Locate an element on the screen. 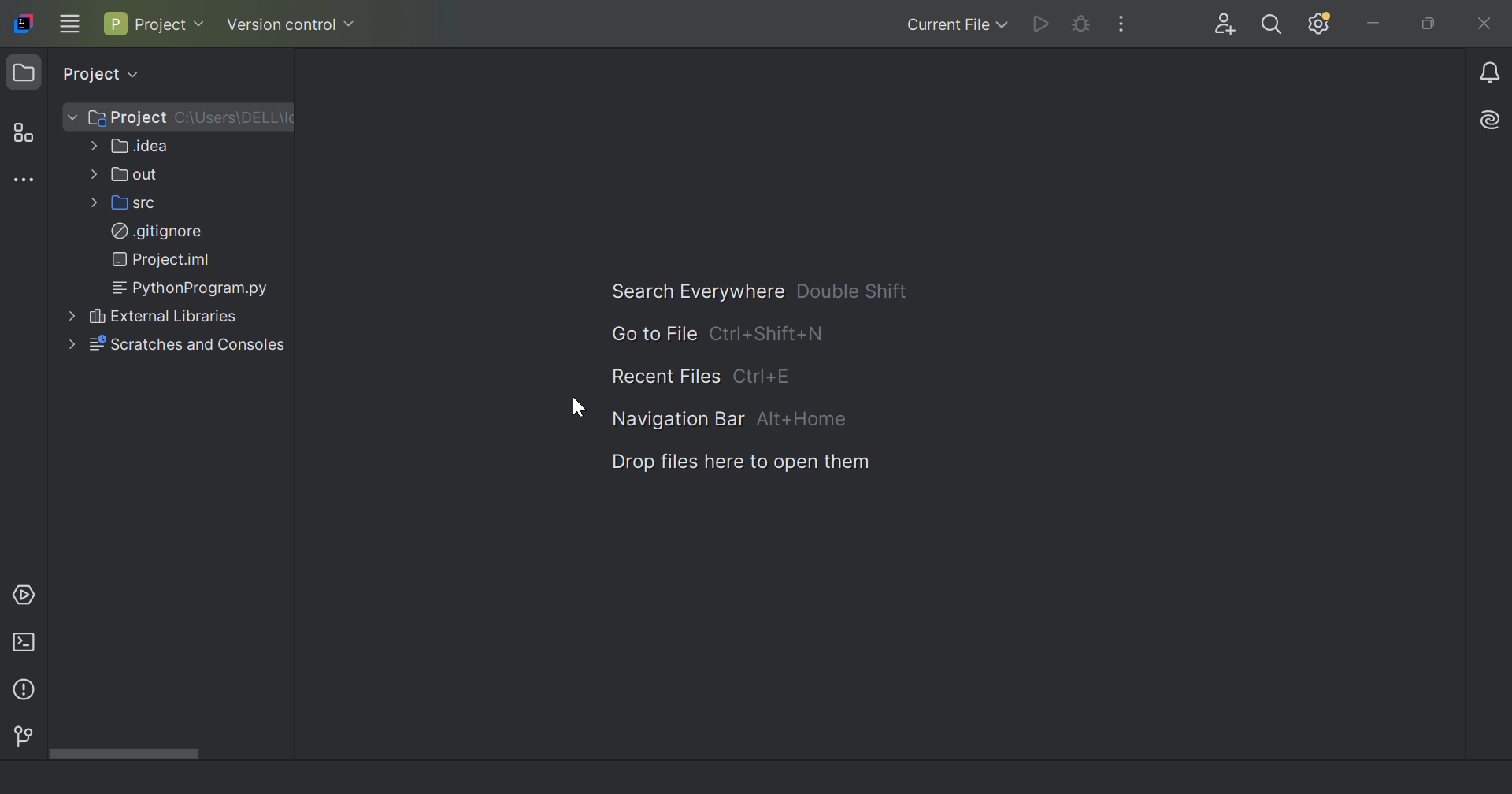  out is located at coordinates (128, 175).